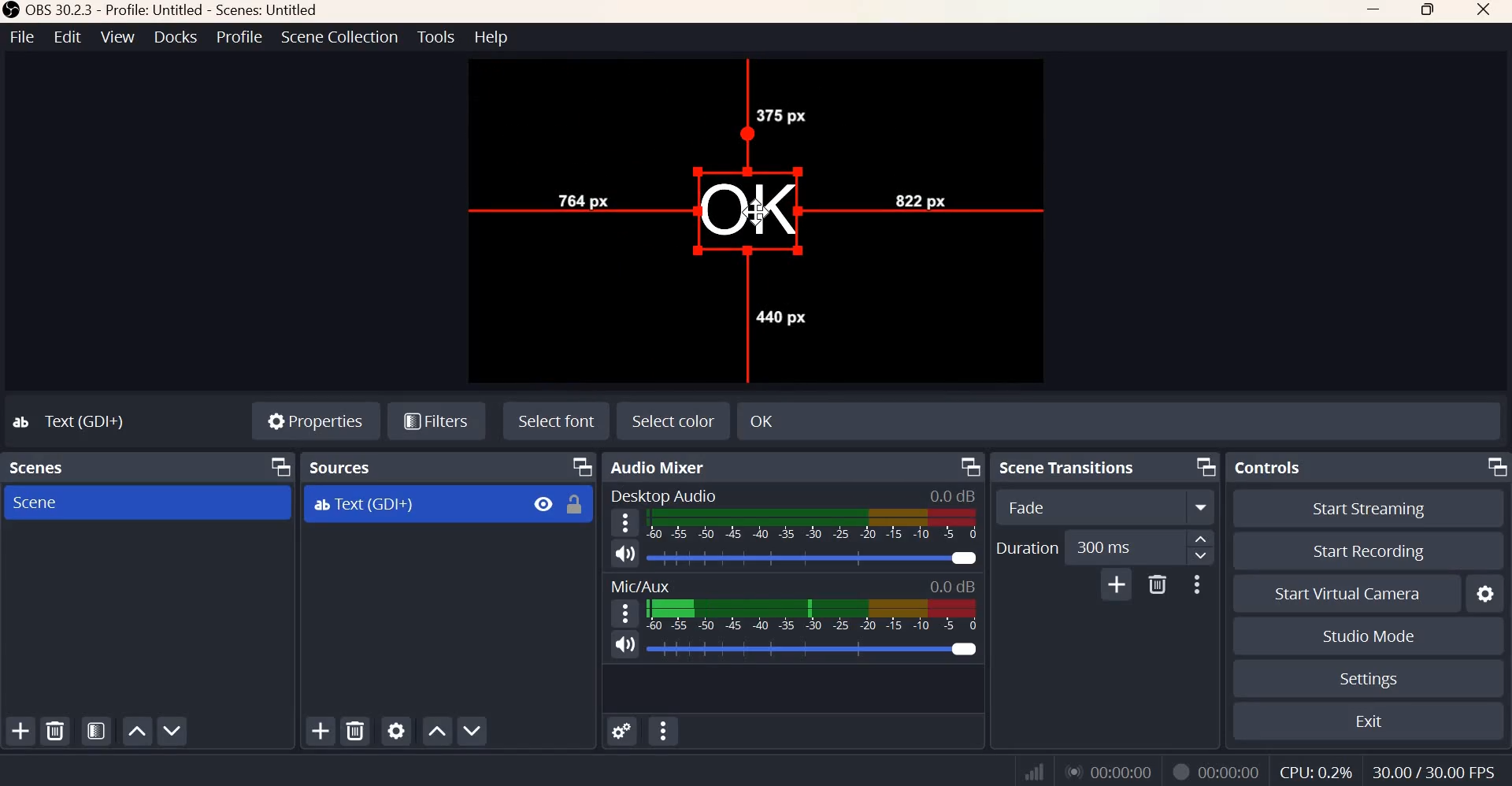 Image resolution: width=1512 pixels, height=786 pixels. Describe the element at coordinates (356, 730) in the screenshot. I see `remove selected source(s)` at that location.